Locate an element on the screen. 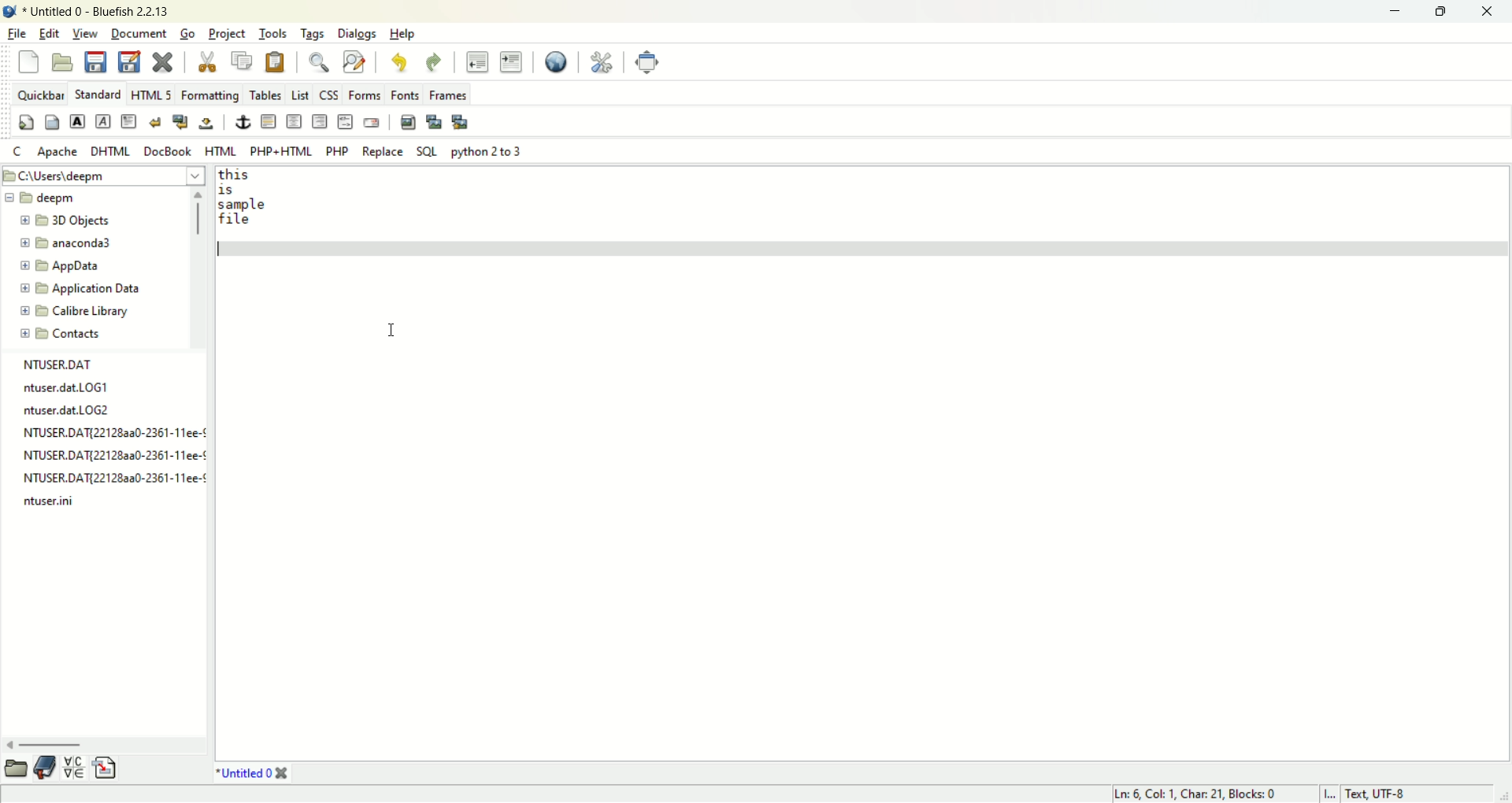  apache is located at coordinates (56, 153).